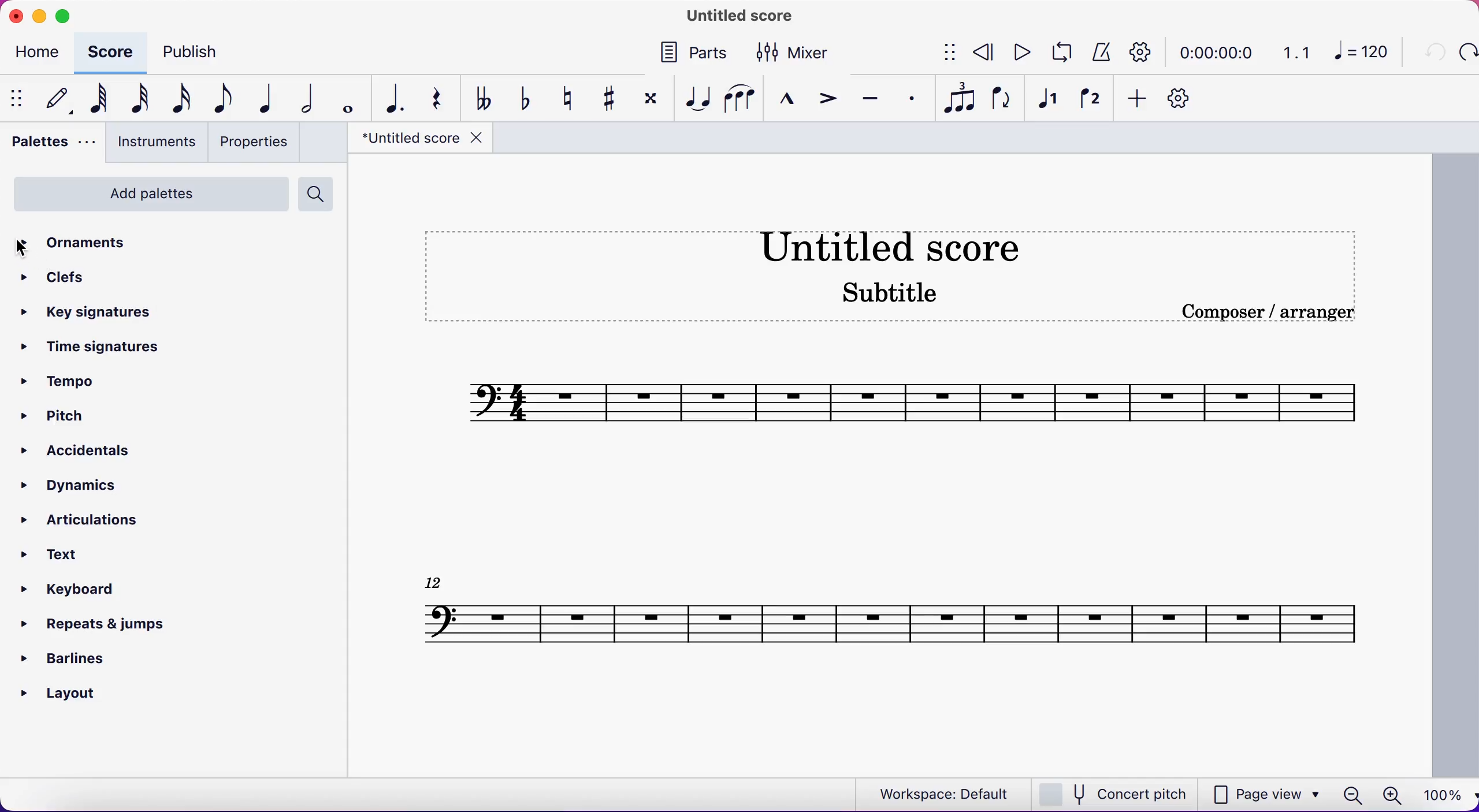 Image resolution: width=1479 pixels, height=812 pixels. What do you see at coordinates (73, 483) in the screenshot?
I see `dynamics` at bounding box center [73, 483].